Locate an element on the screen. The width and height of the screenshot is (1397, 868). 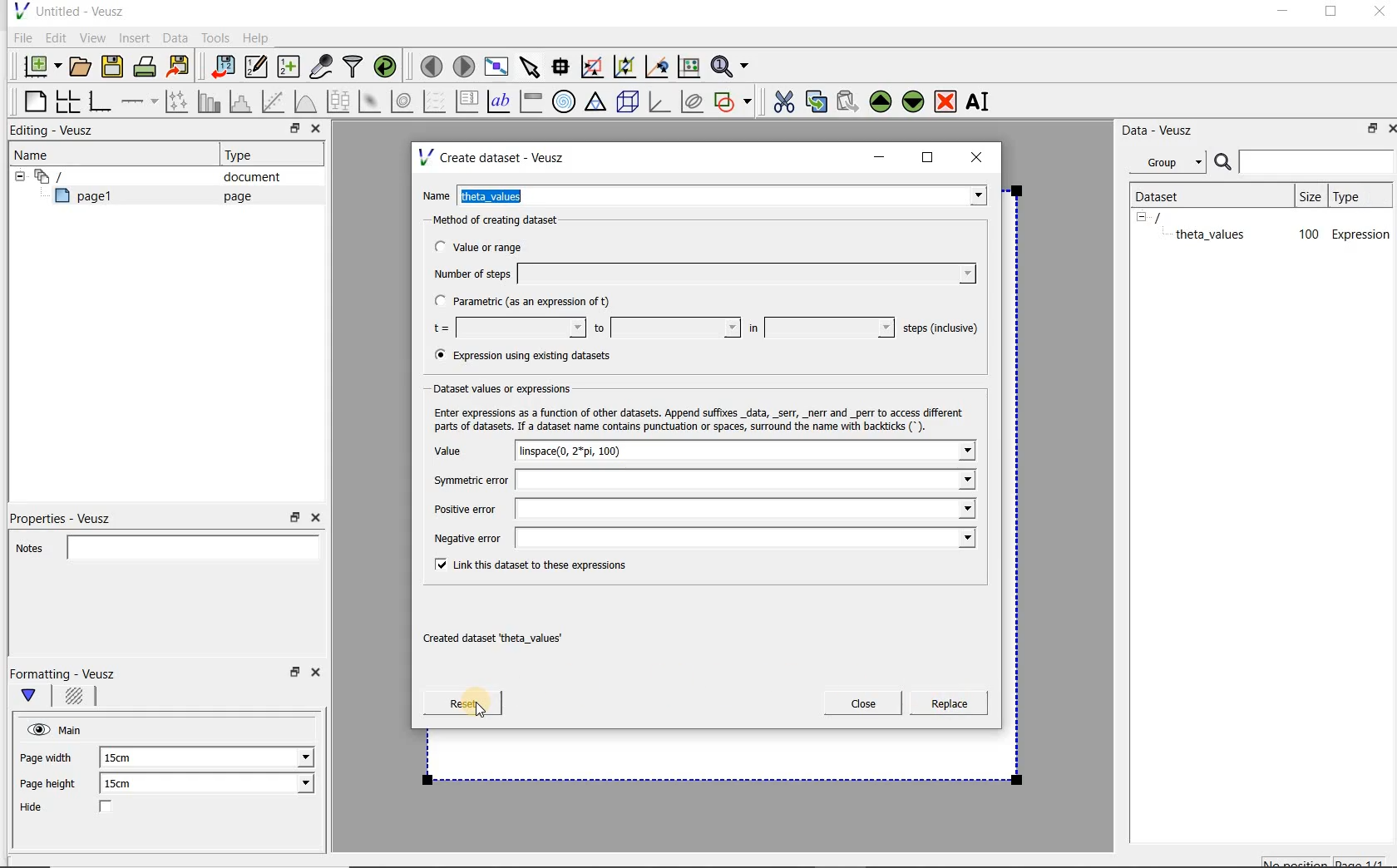
theta_values is located at coordinates (1212, 234).